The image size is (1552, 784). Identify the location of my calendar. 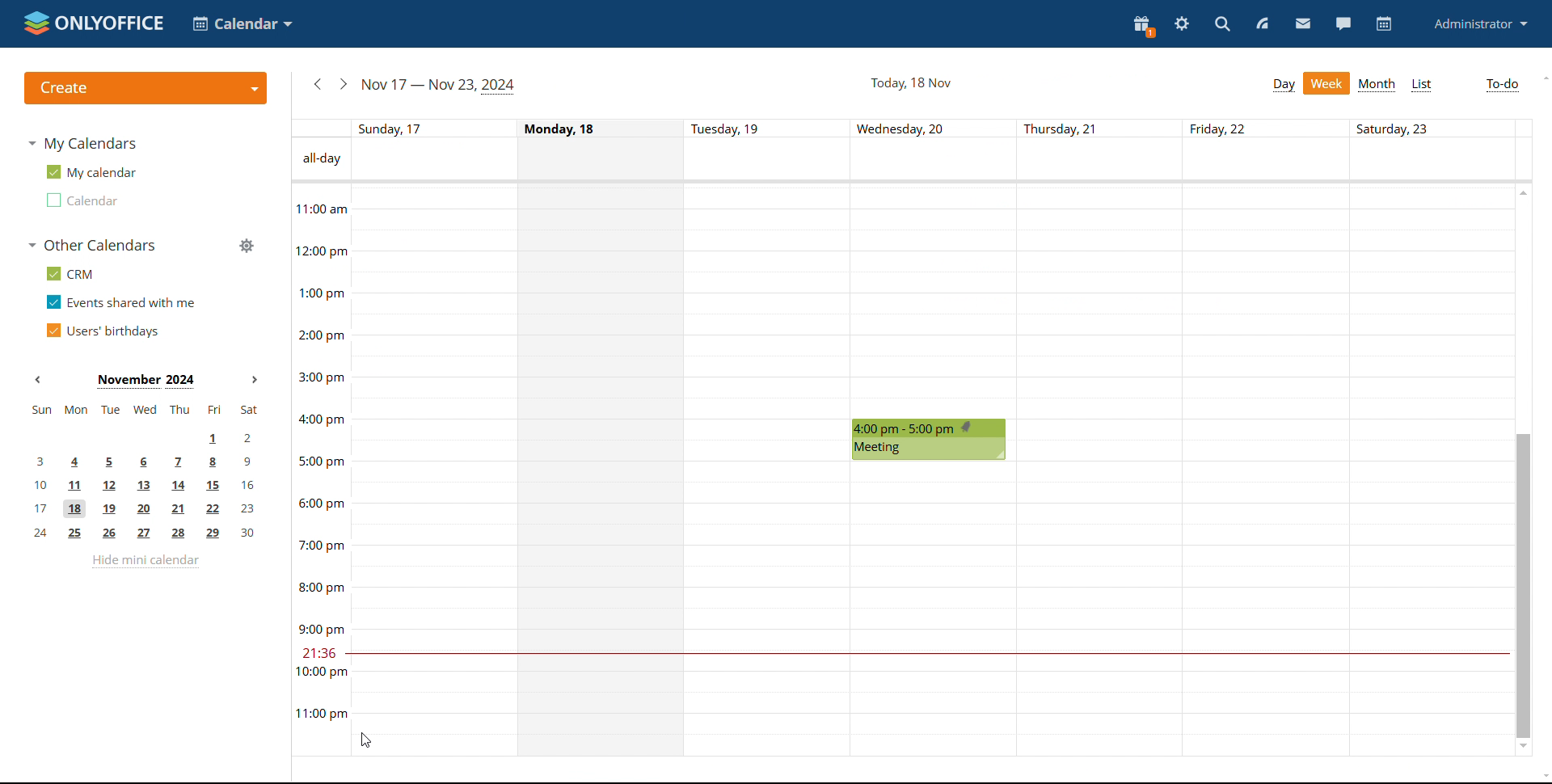
(90, 172).